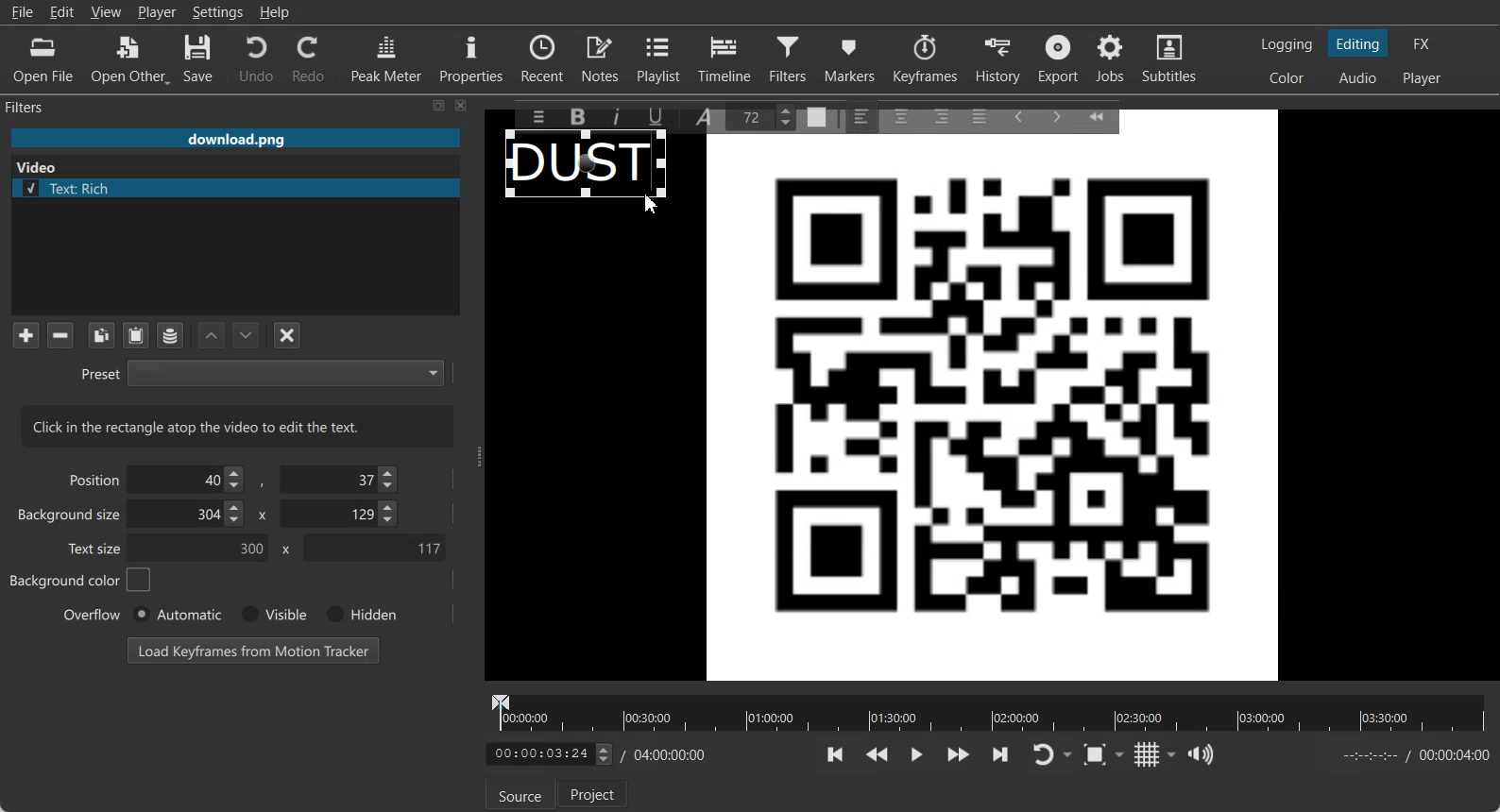  What do you see at coordinates (238, 426) in the screenshot?
I see `Text` at bounding box center [238, 426].